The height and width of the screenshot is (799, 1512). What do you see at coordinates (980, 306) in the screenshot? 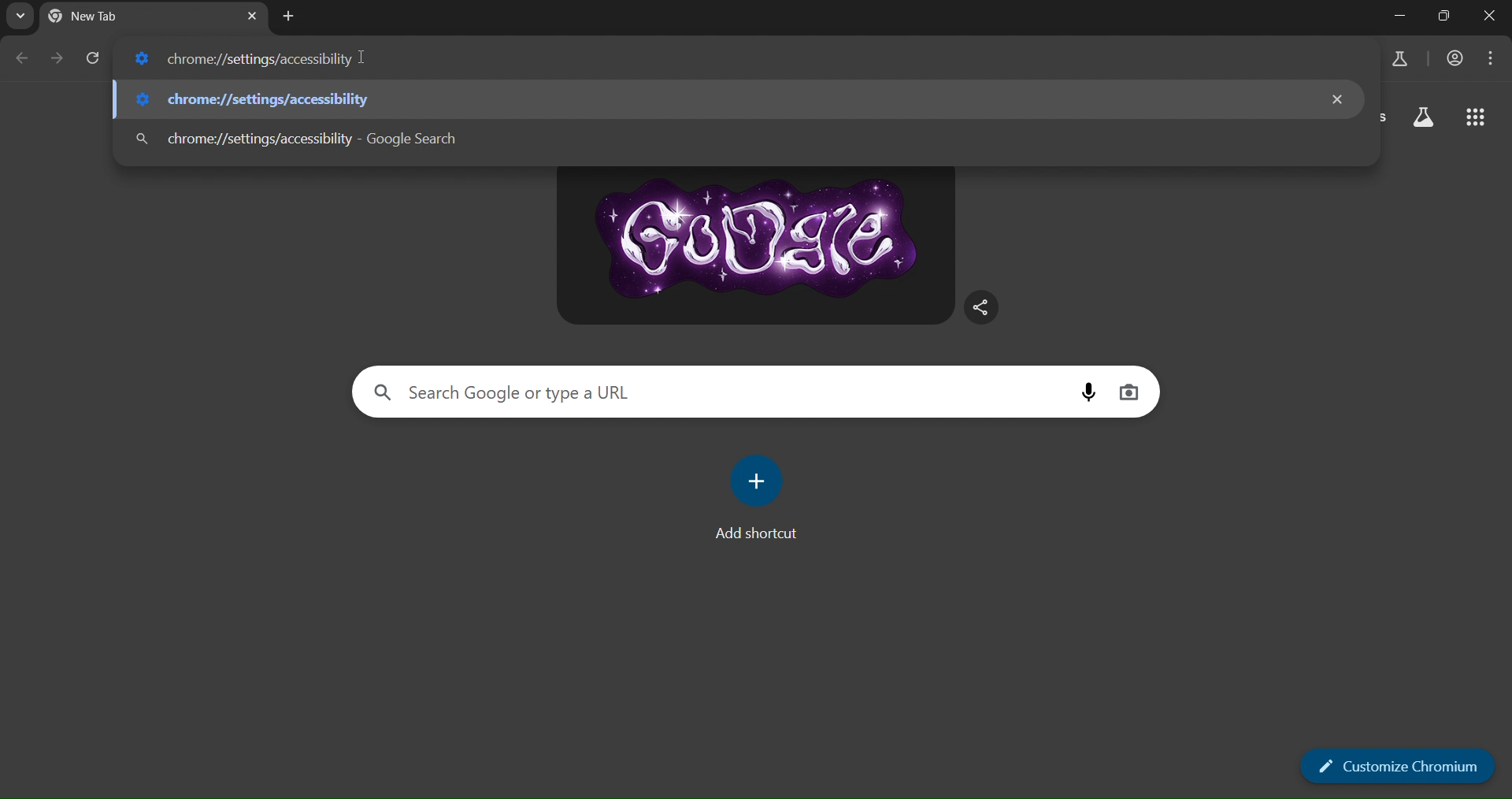
I see `share` at bounding box center [980, 306].